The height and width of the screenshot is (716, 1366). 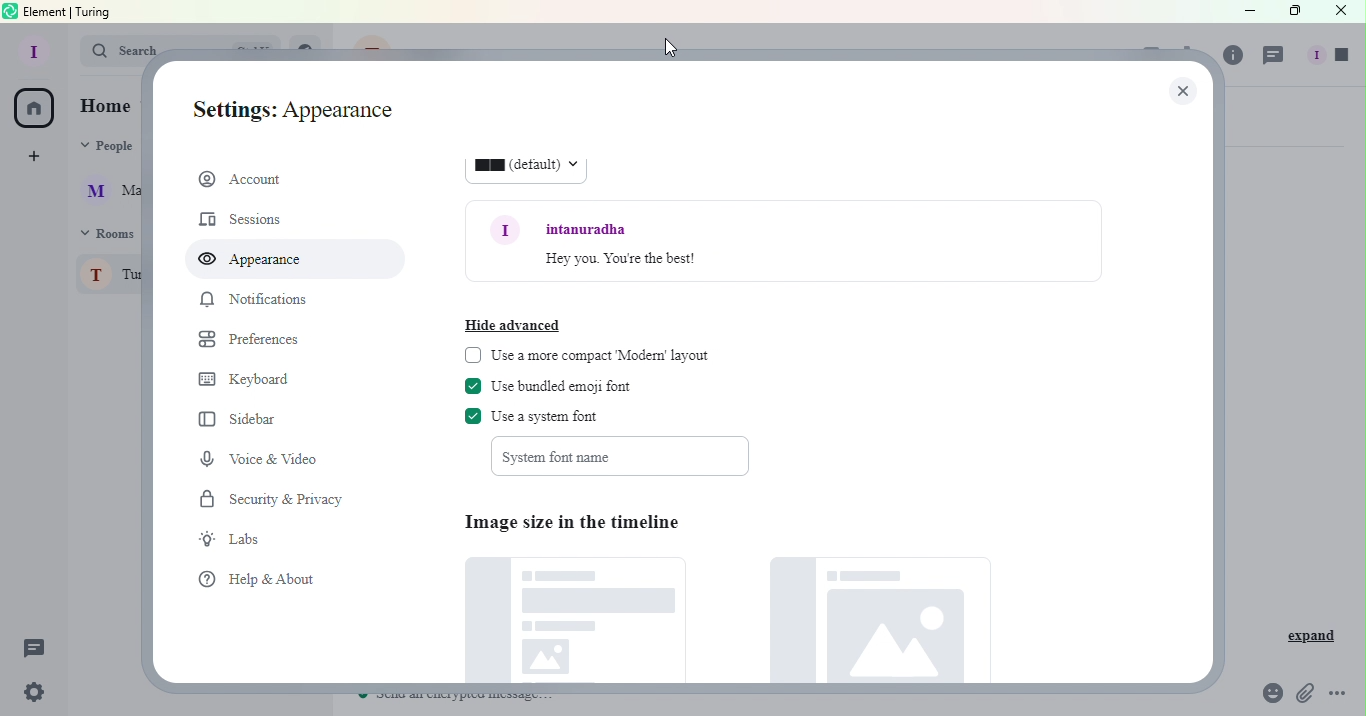 What do you see at coordinates (254, 340) in the screenshot?
I see `Prefrences` at bounding box center [254, 340].